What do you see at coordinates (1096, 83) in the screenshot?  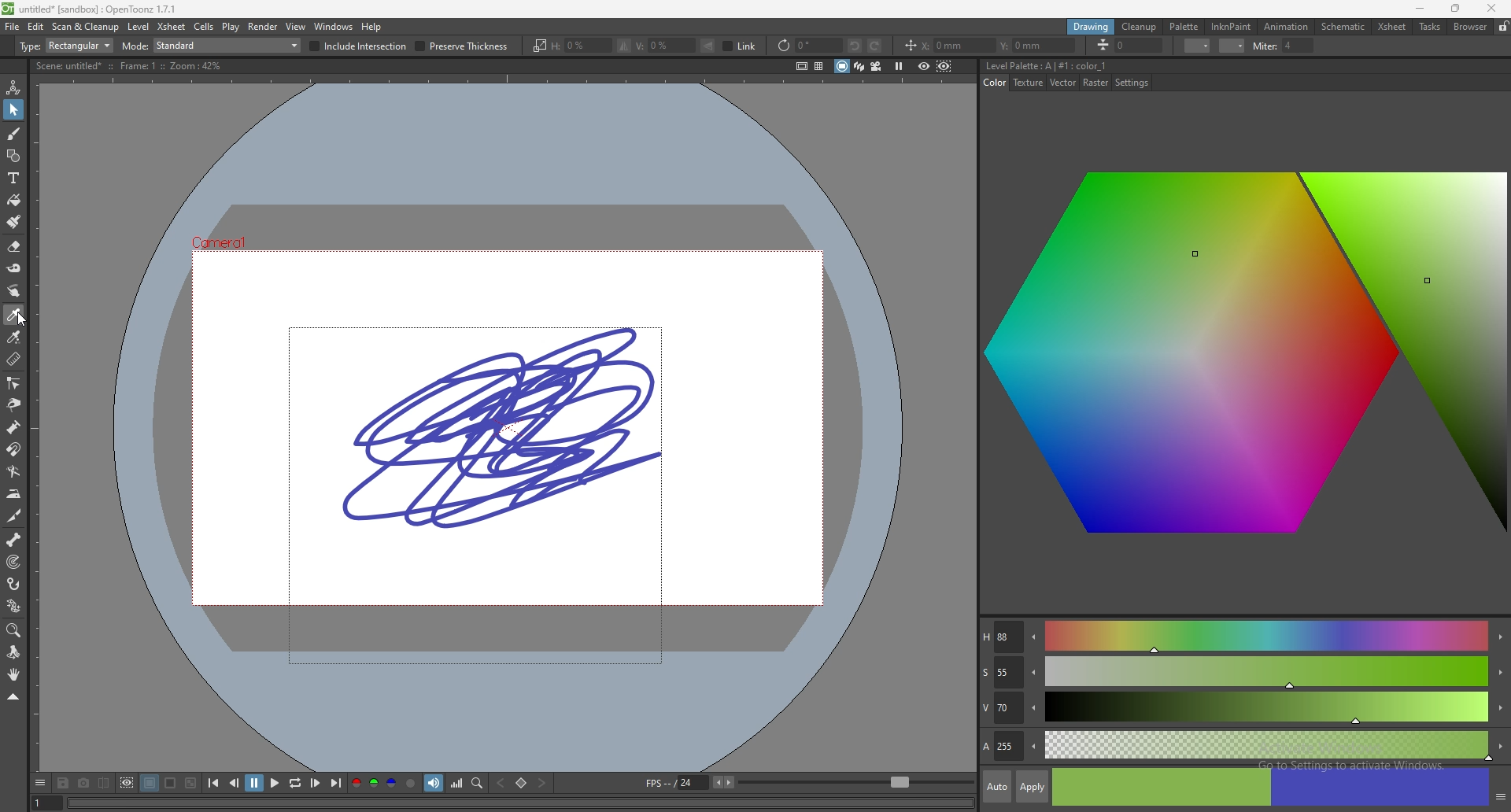 I see `raster` at bounding box center [1096, 83].